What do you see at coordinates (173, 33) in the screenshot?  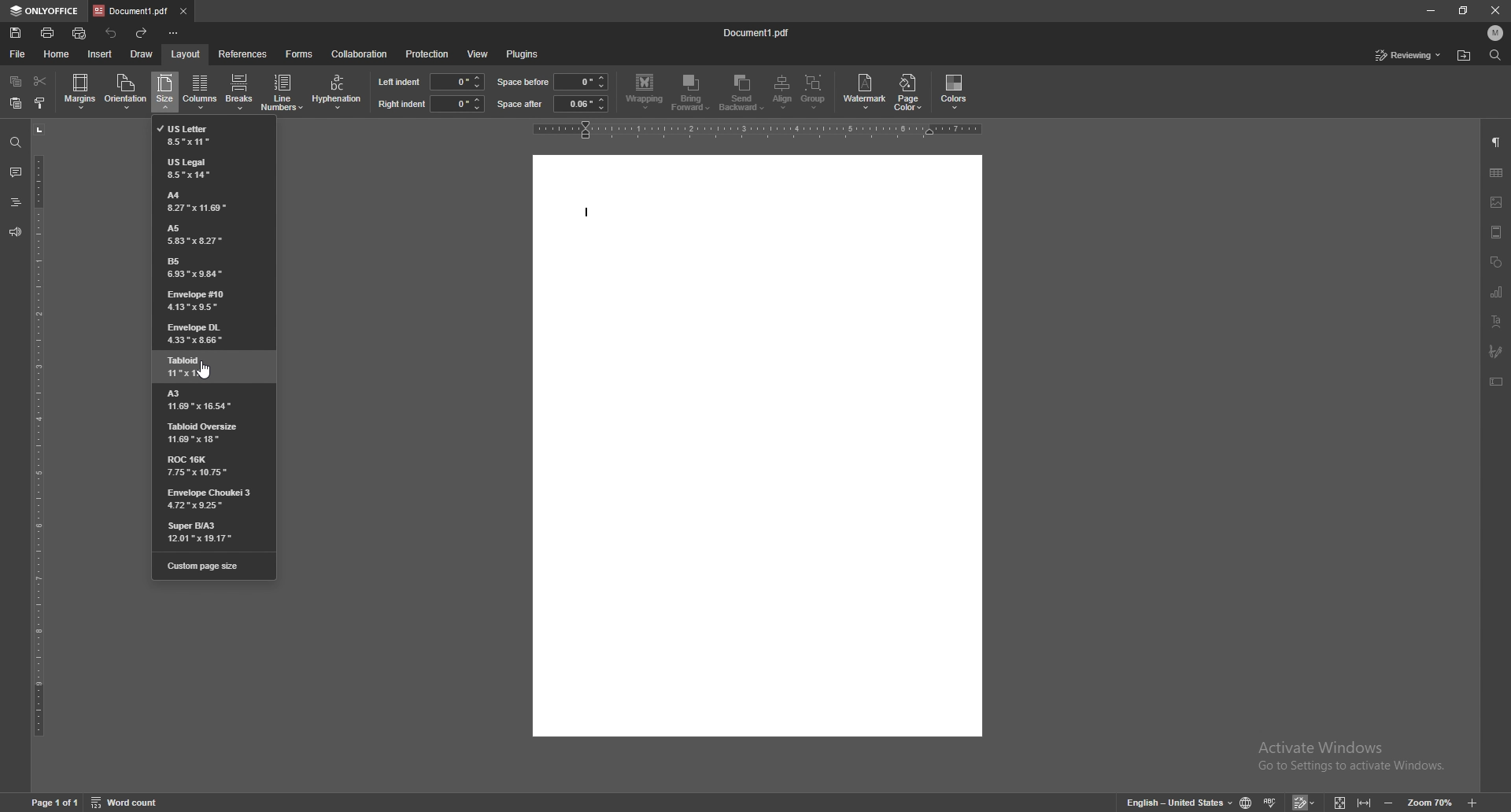 I see `customize toolbar` at bounding box center [173, 33].